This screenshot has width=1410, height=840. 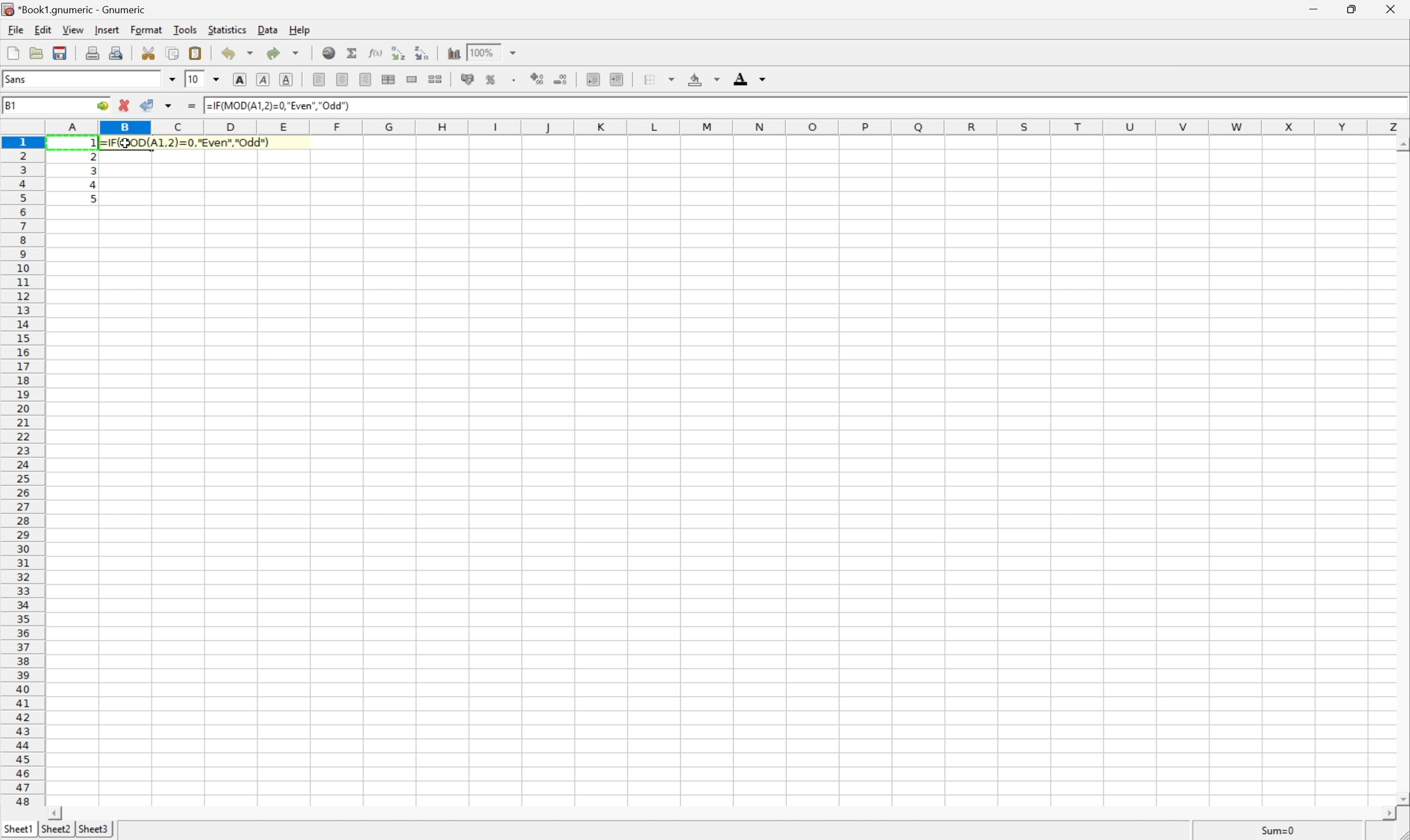 What do you see at coordinates (1391, 8) in the screenshot?
I see `Close` at bounding box center [1391, 8].